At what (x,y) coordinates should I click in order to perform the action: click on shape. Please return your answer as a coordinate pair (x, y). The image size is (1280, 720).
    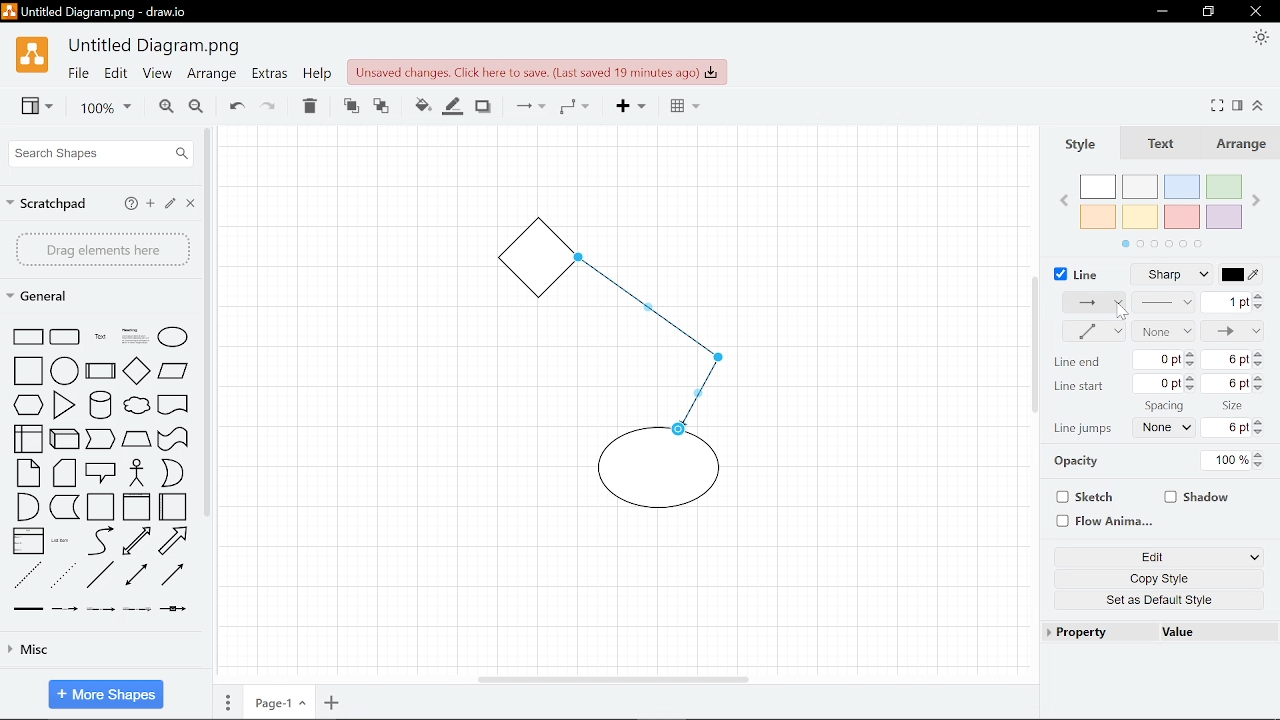
    Looking at the image, I should click on (66, 370).